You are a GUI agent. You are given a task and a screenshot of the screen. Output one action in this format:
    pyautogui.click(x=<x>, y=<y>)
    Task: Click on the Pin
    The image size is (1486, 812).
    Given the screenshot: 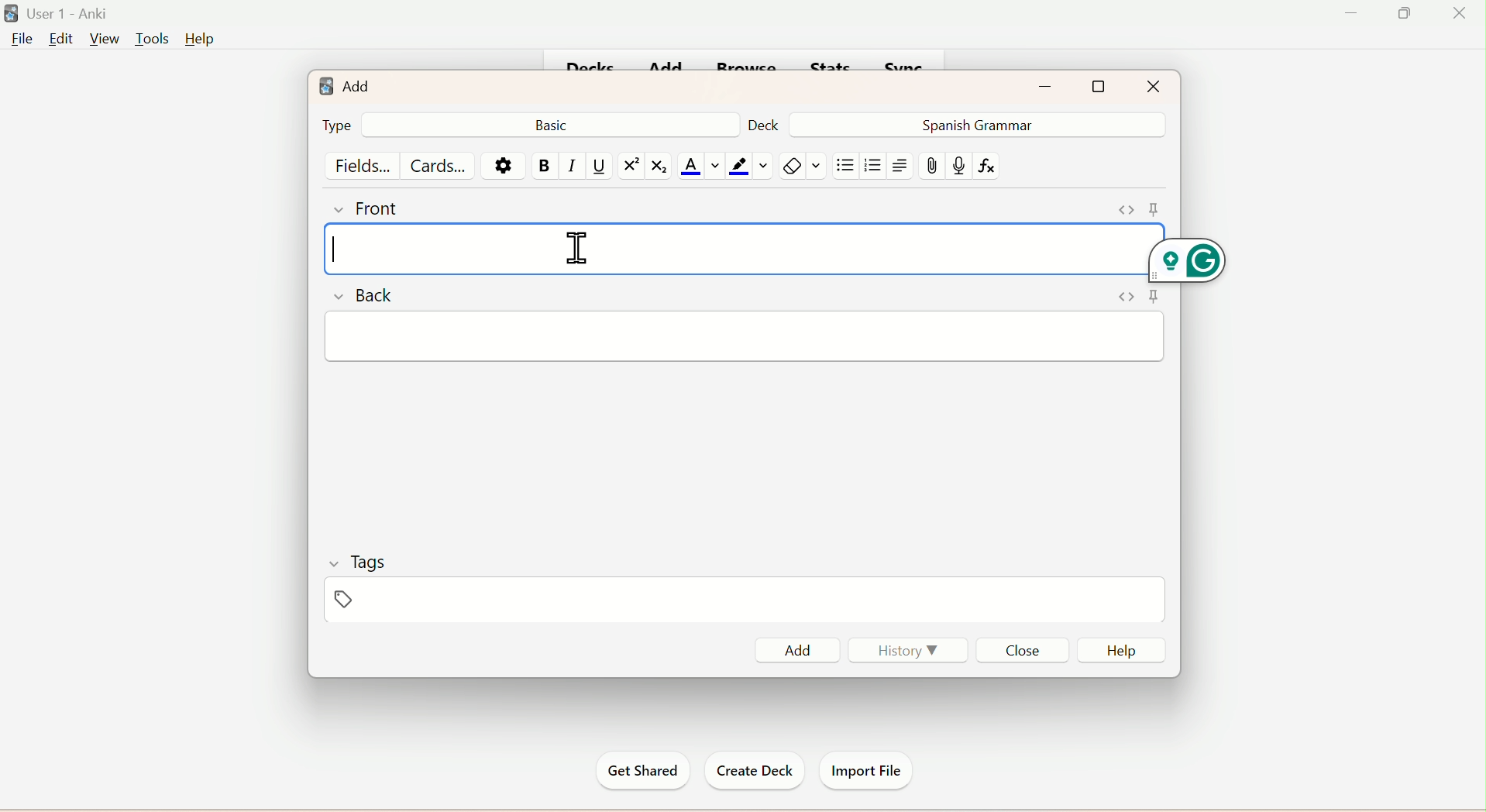 What is the action you would take?
    pyautogui.click(x=1132, y=299)
    